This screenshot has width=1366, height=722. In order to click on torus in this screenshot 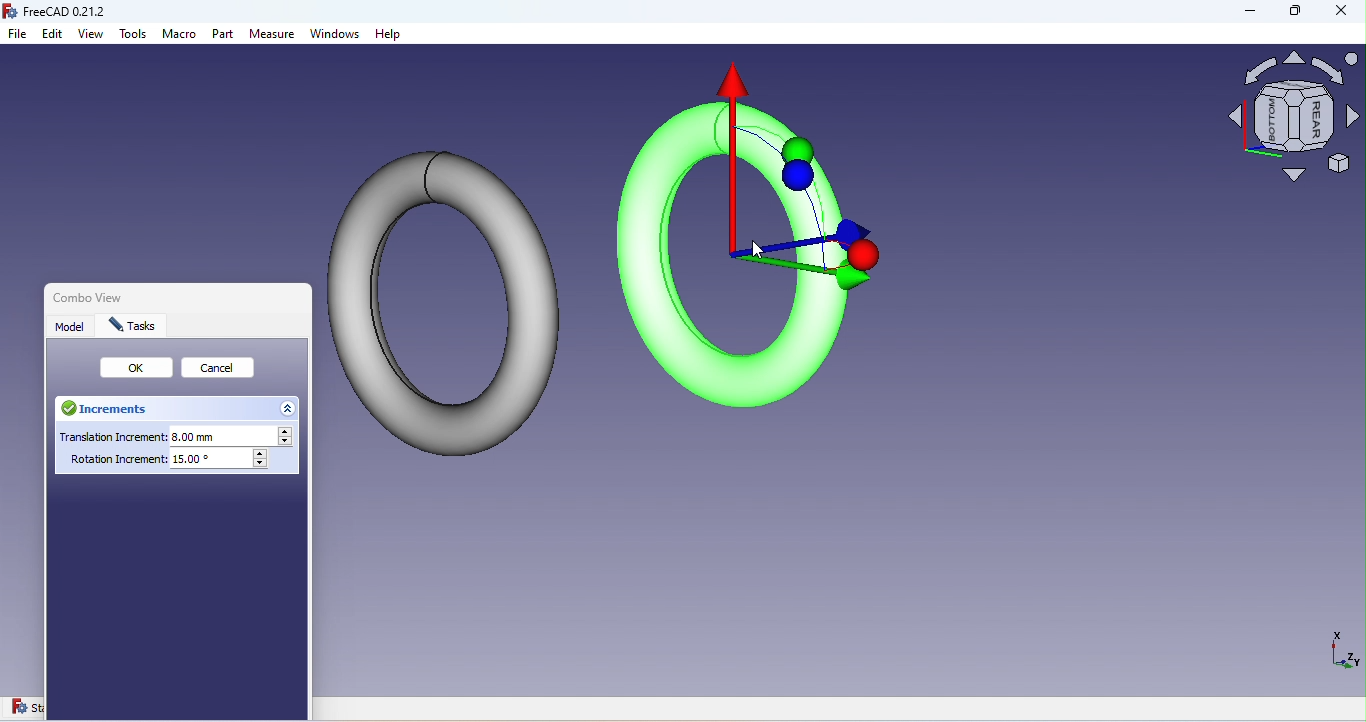, I will do `click(443, 297)`.